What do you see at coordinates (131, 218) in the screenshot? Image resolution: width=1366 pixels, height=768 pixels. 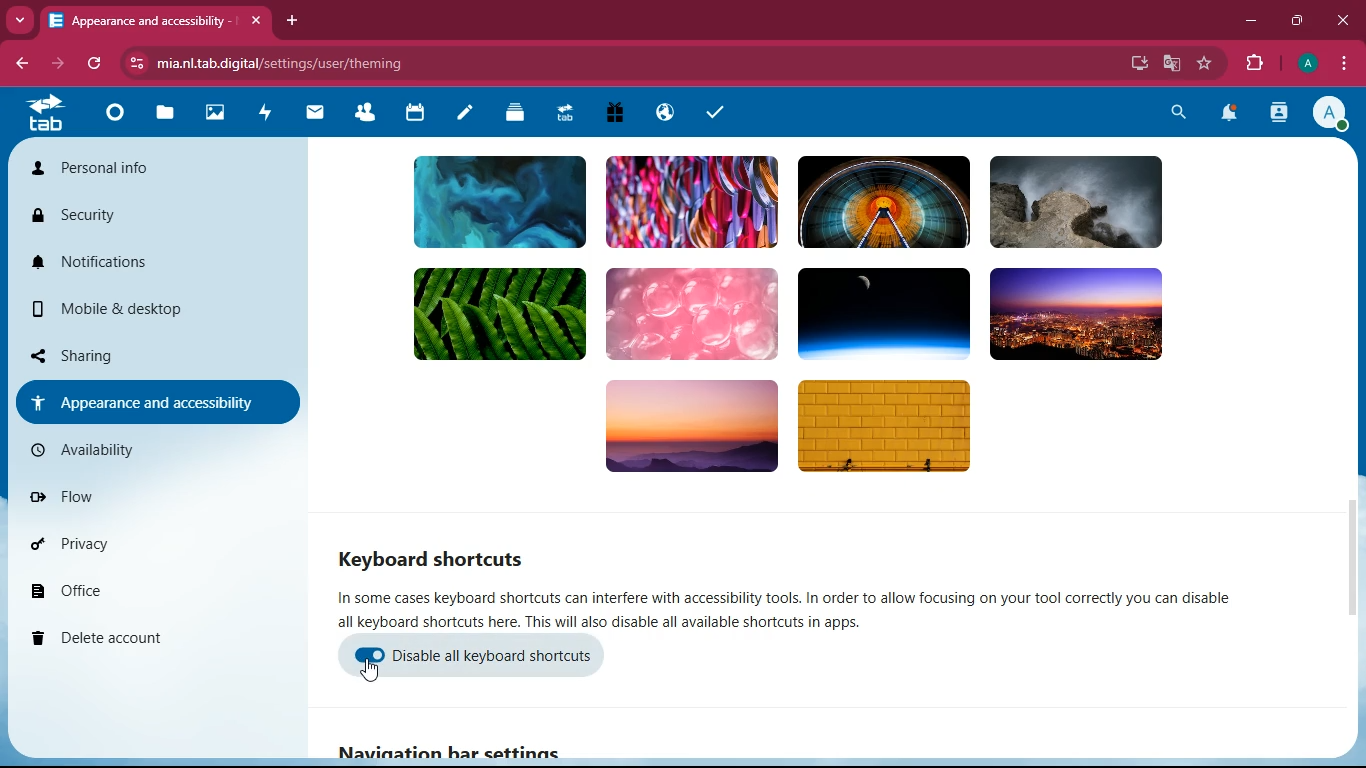 I see `security` at bounding box center [131, 218].